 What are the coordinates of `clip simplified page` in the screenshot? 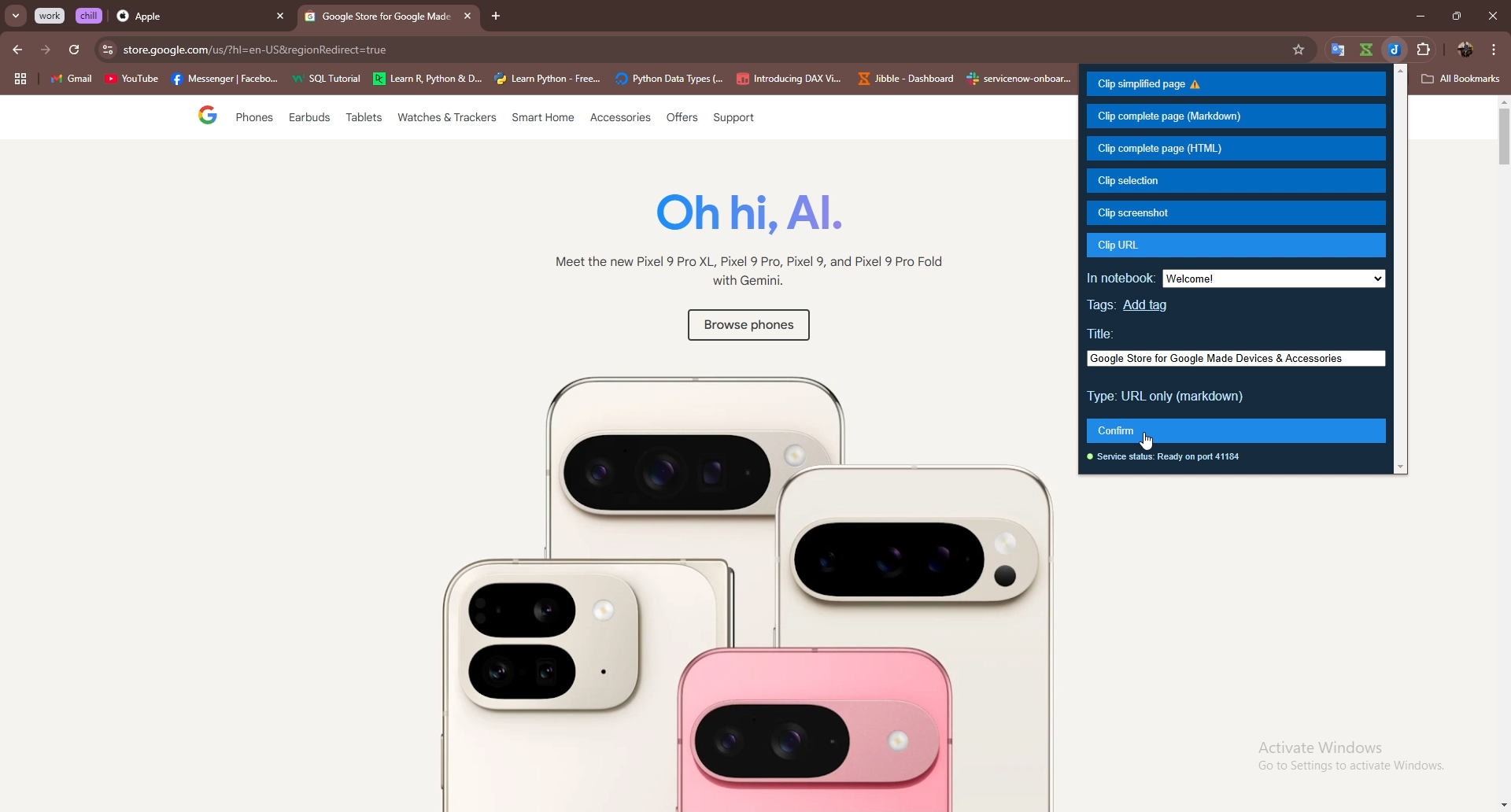 It's located at (1236, 85).